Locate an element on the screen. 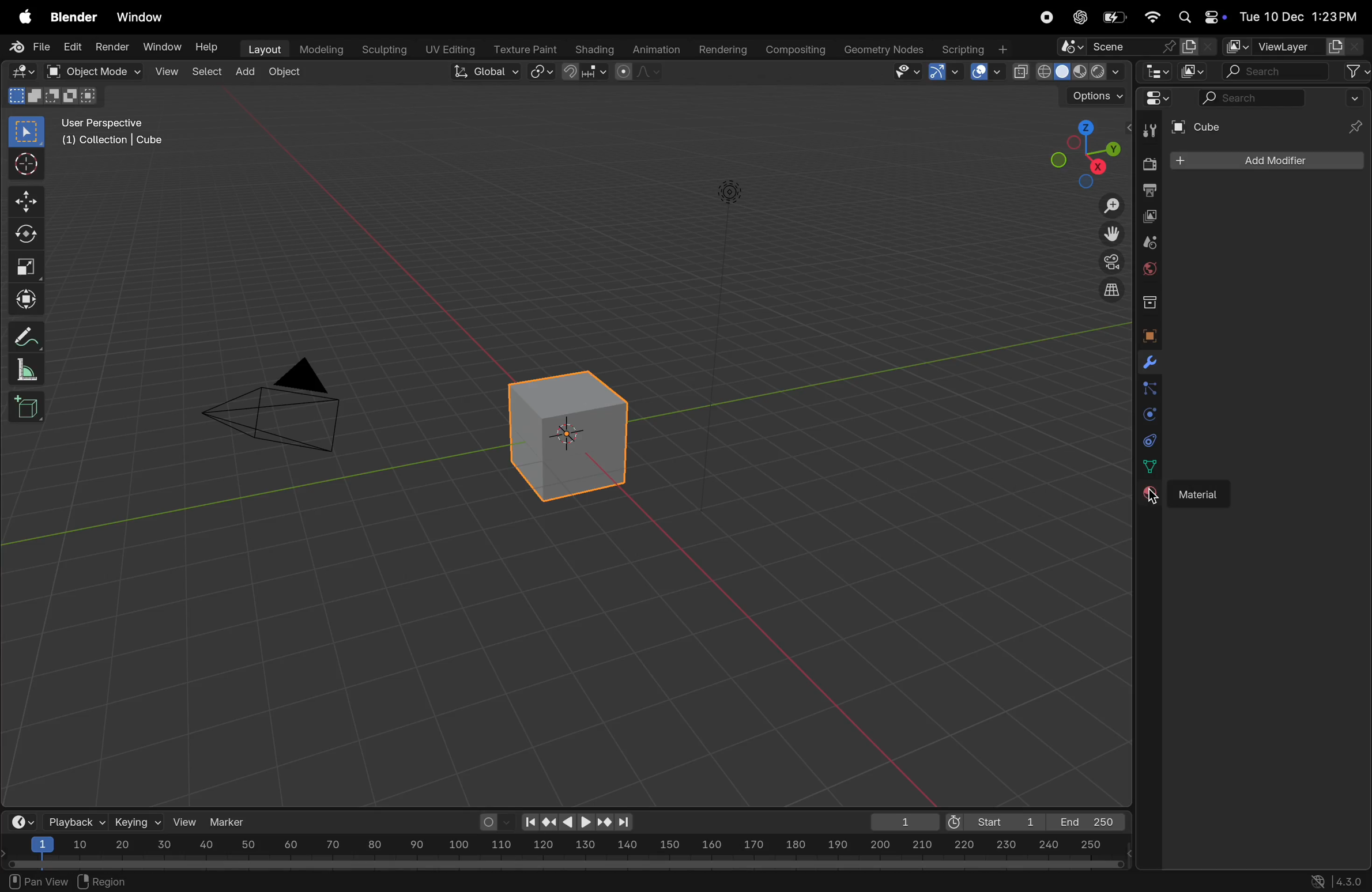  Geometry is located at coordinates (885, 50).